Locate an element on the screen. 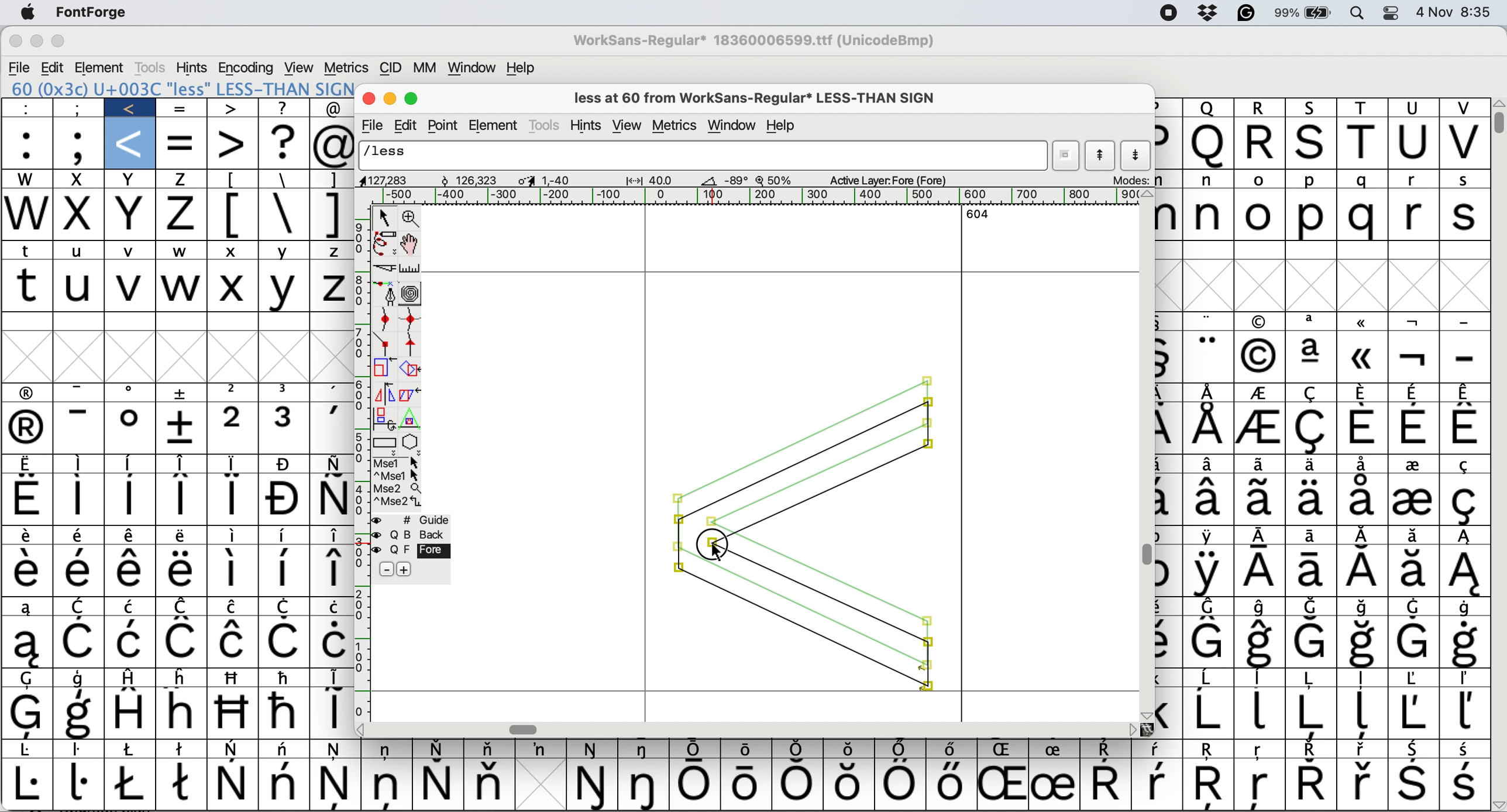  metrics is located at coordinates (346, 68).